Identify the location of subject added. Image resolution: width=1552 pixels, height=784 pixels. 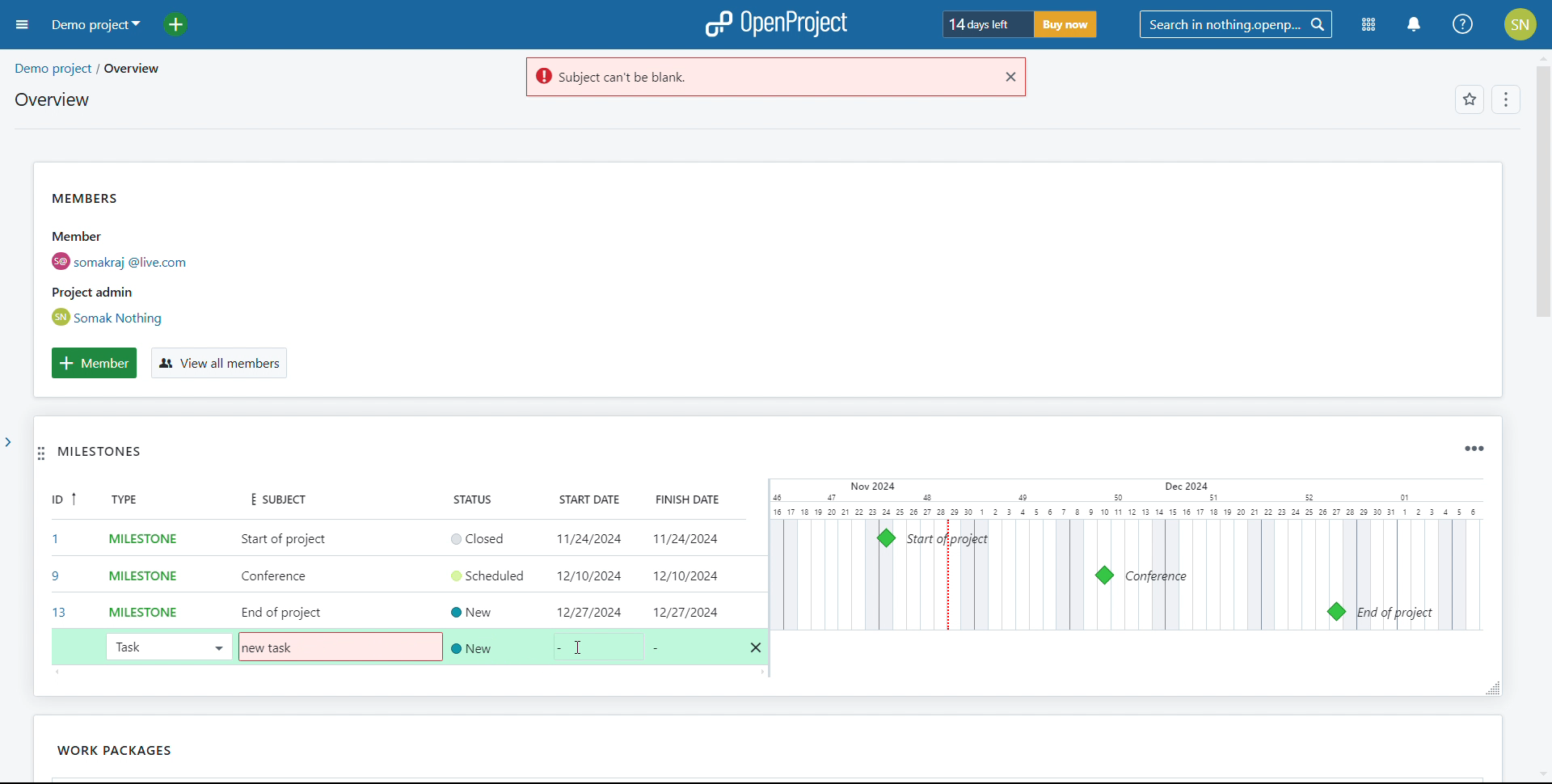
(272, 648).